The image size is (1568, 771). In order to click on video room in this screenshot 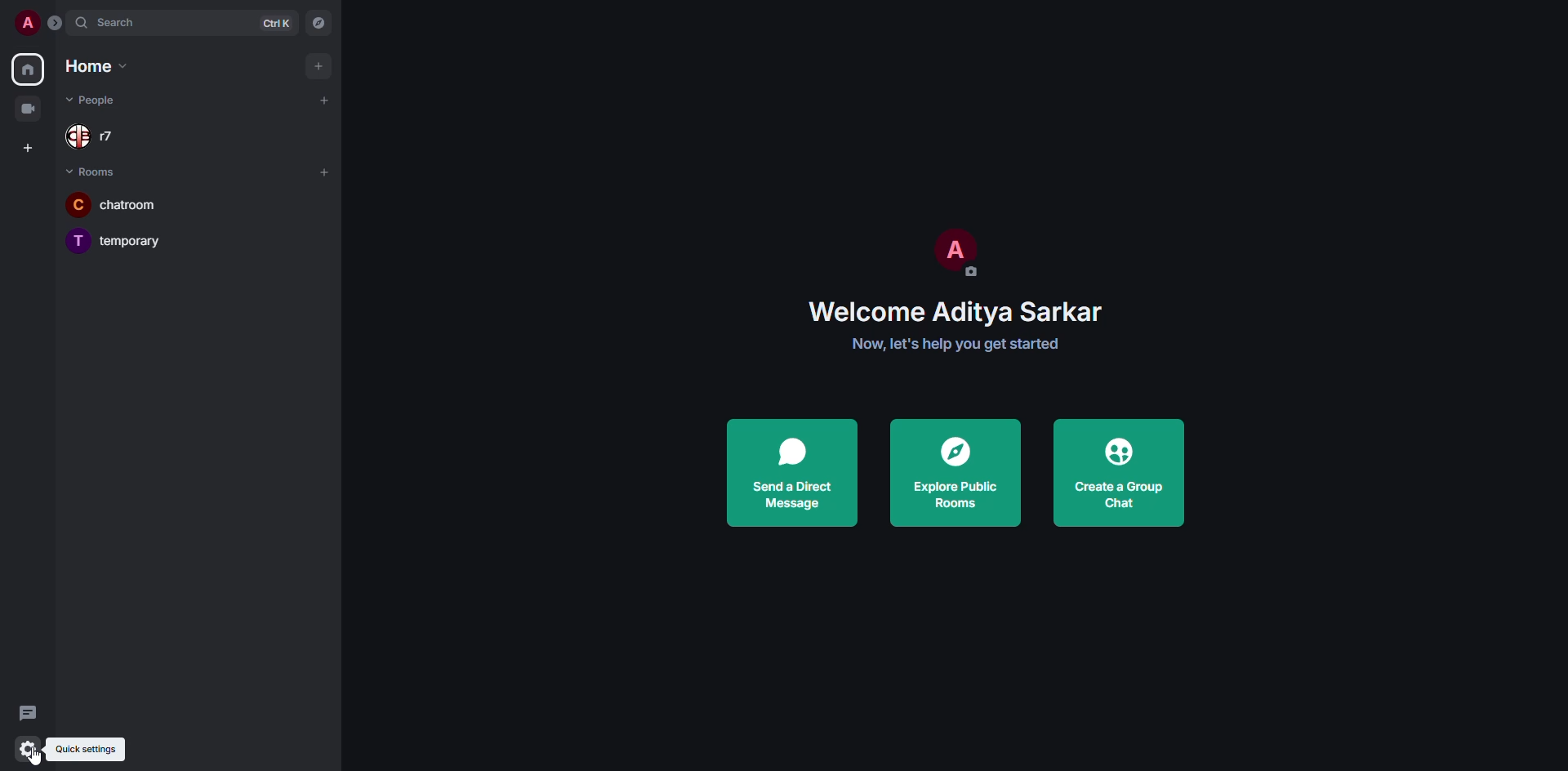, I will do `click(28, 107)`.